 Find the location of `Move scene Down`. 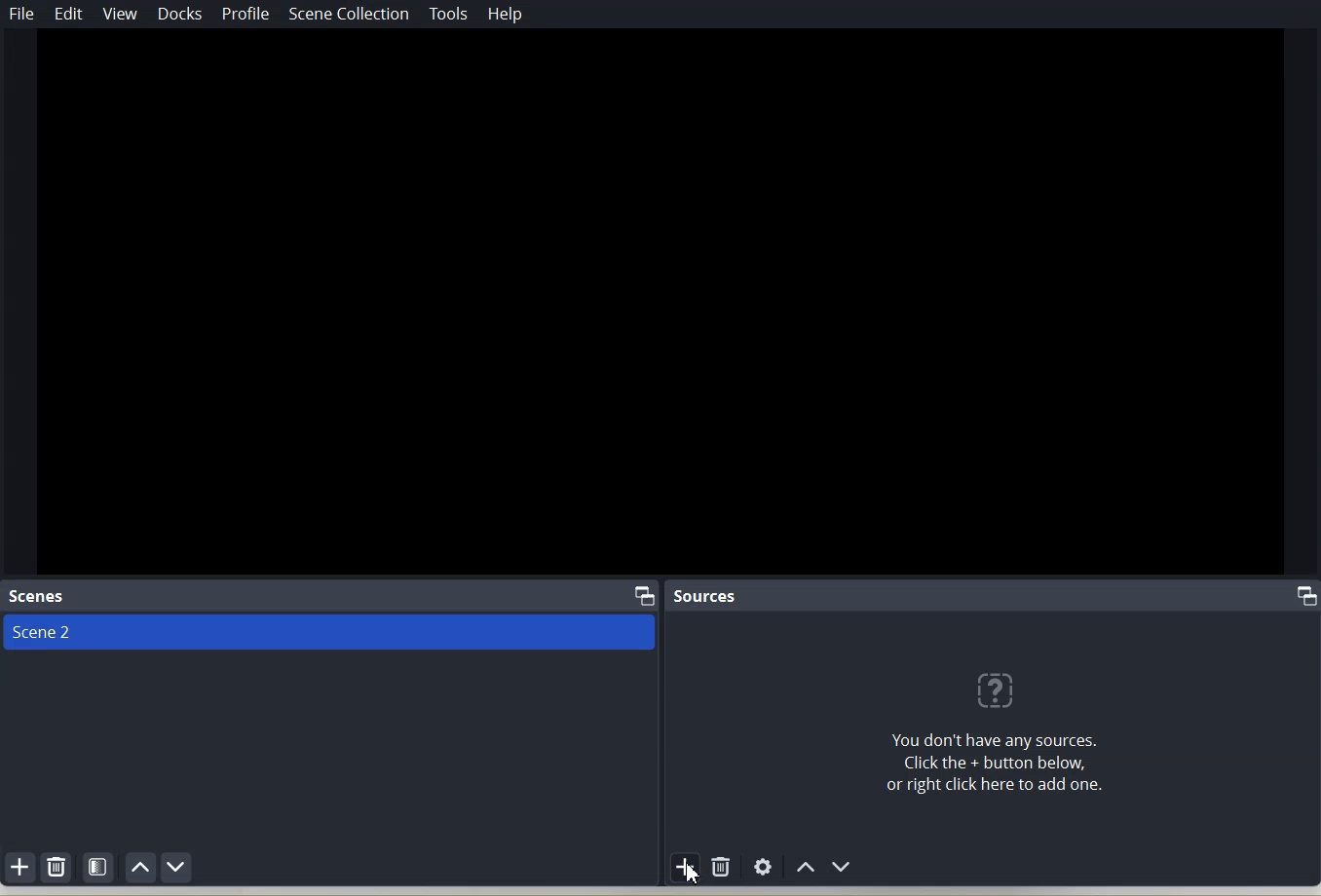

Move scene Down is located at coordinates (177, 867).